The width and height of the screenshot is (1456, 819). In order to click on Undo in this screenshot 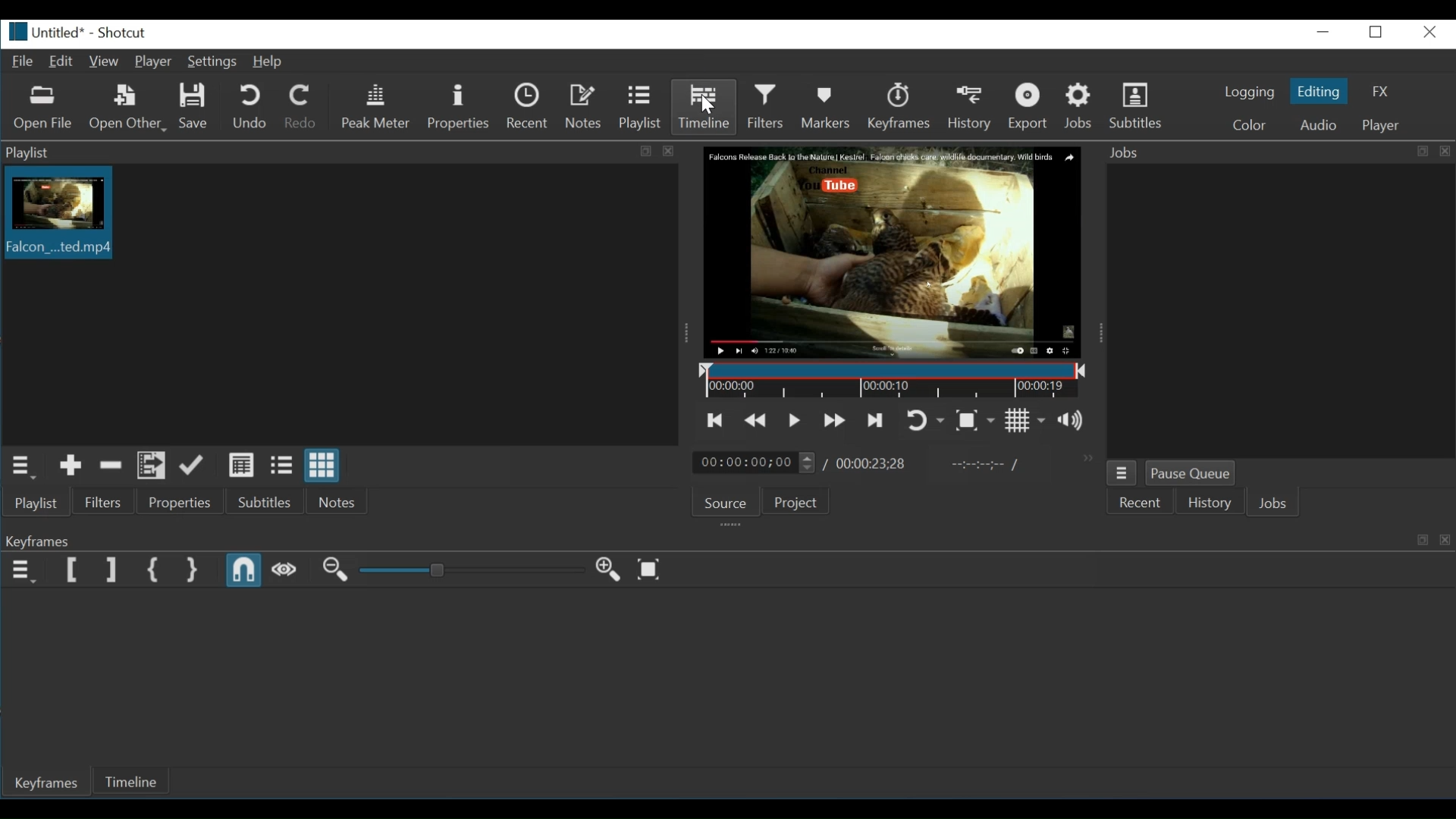, I will do `click(252, 106)`.